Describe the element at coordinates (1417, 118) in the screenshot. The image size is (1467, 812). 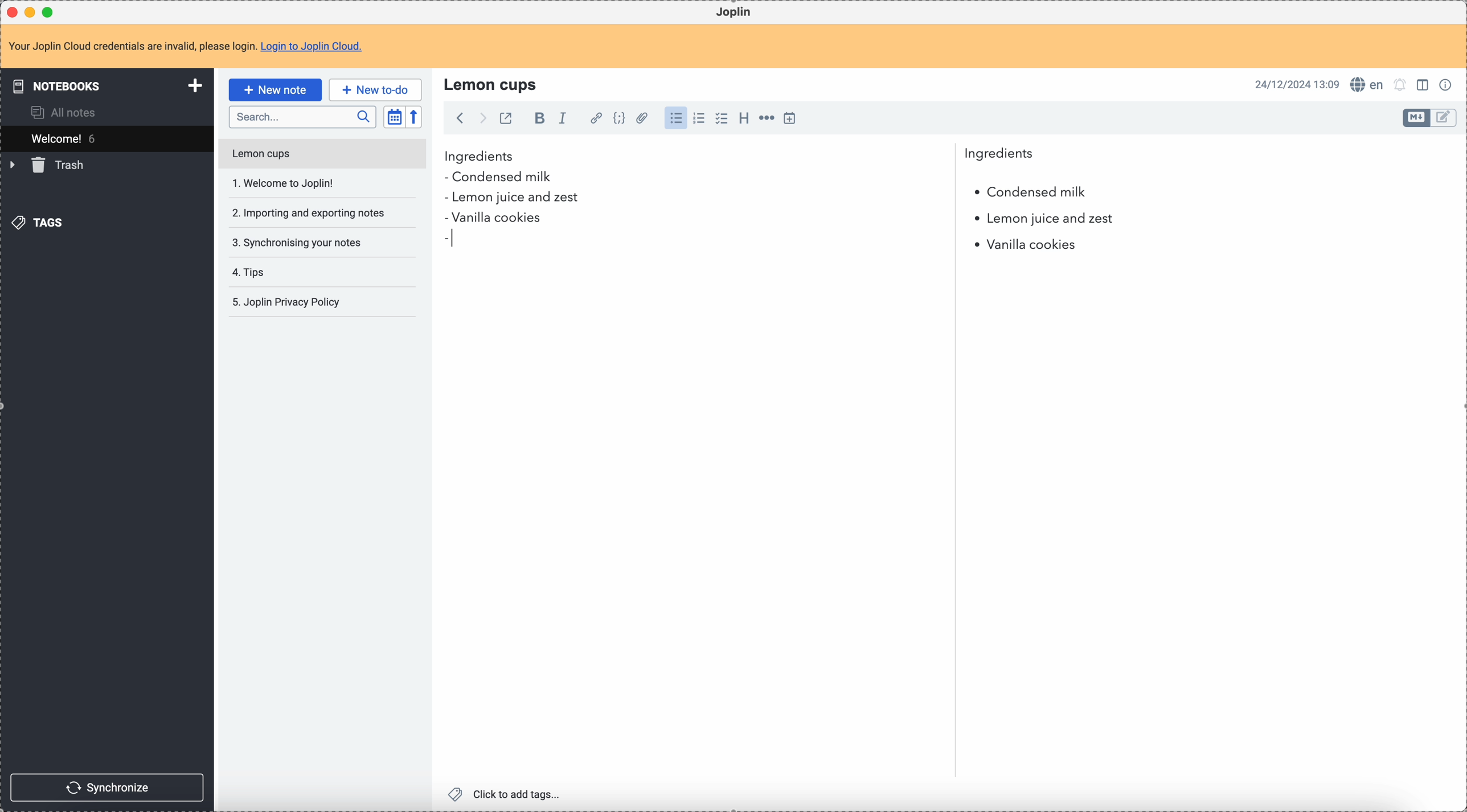
I see `toggle edit layout` at that location.